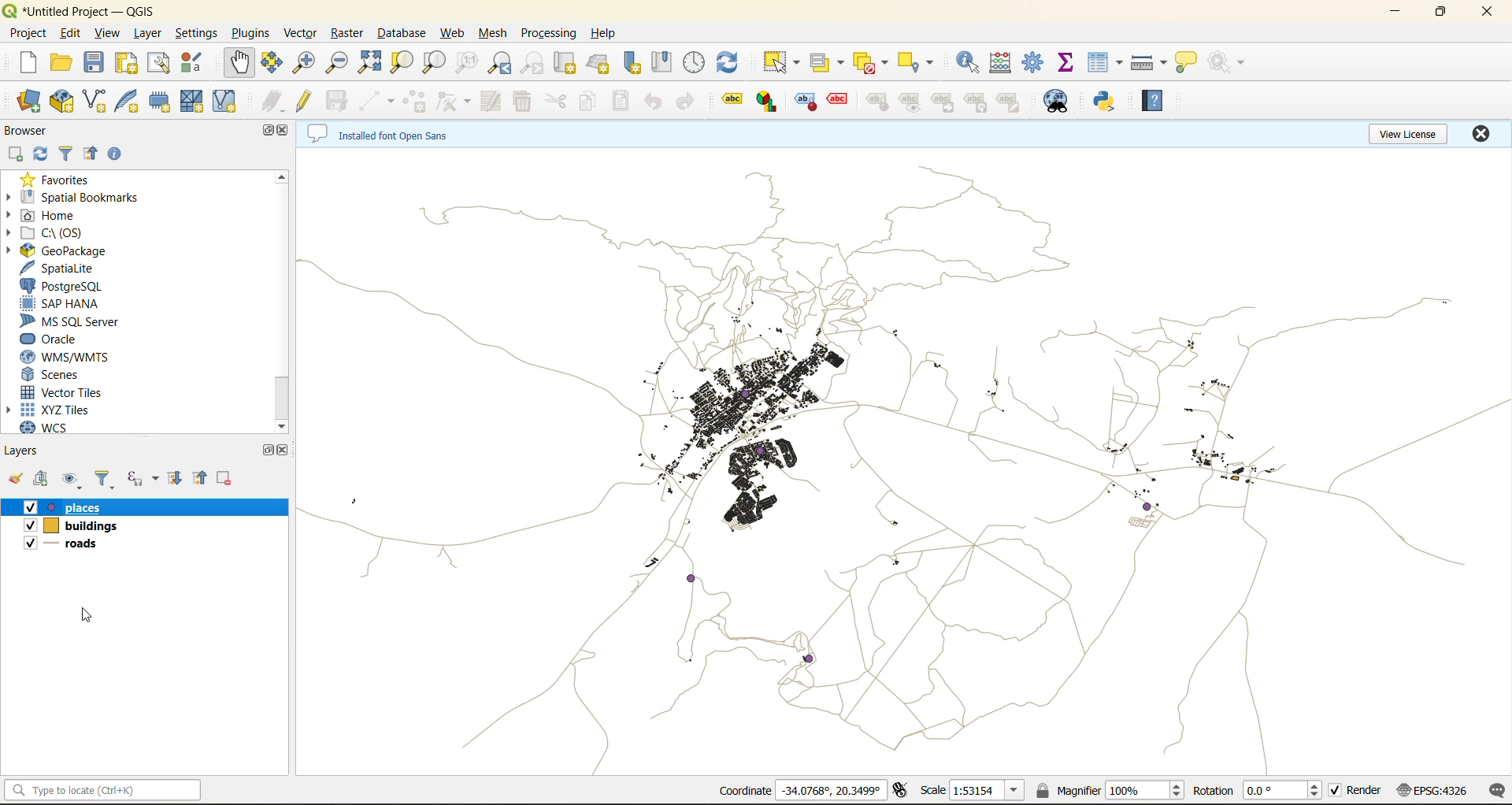 Image resolution: width=1512 pixels, height=805 pixels. I want to click on zoom out, so click(338, 61).